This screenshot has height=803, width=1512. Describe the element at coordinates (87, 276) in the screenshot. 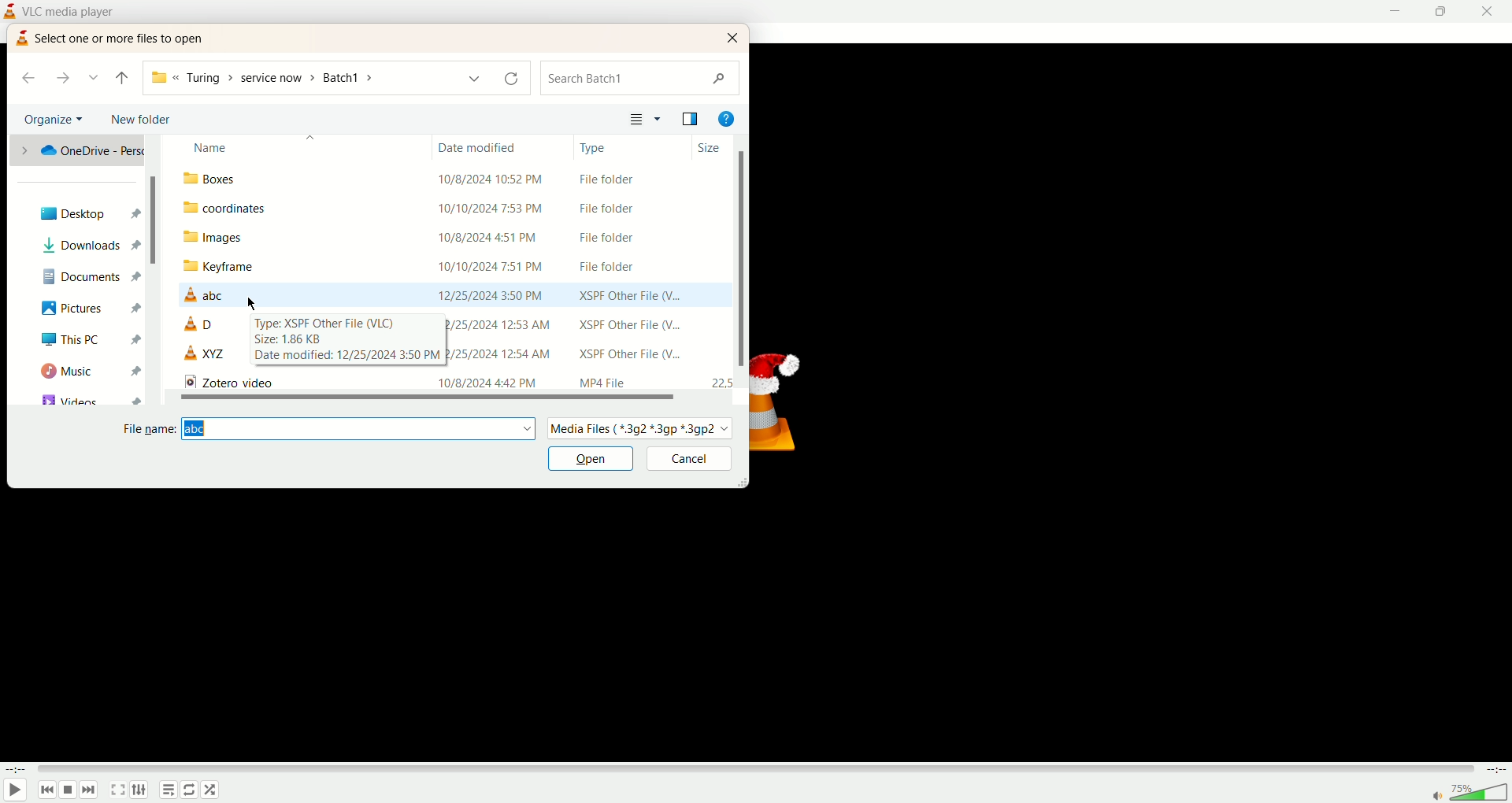

I see `documents` at that location.